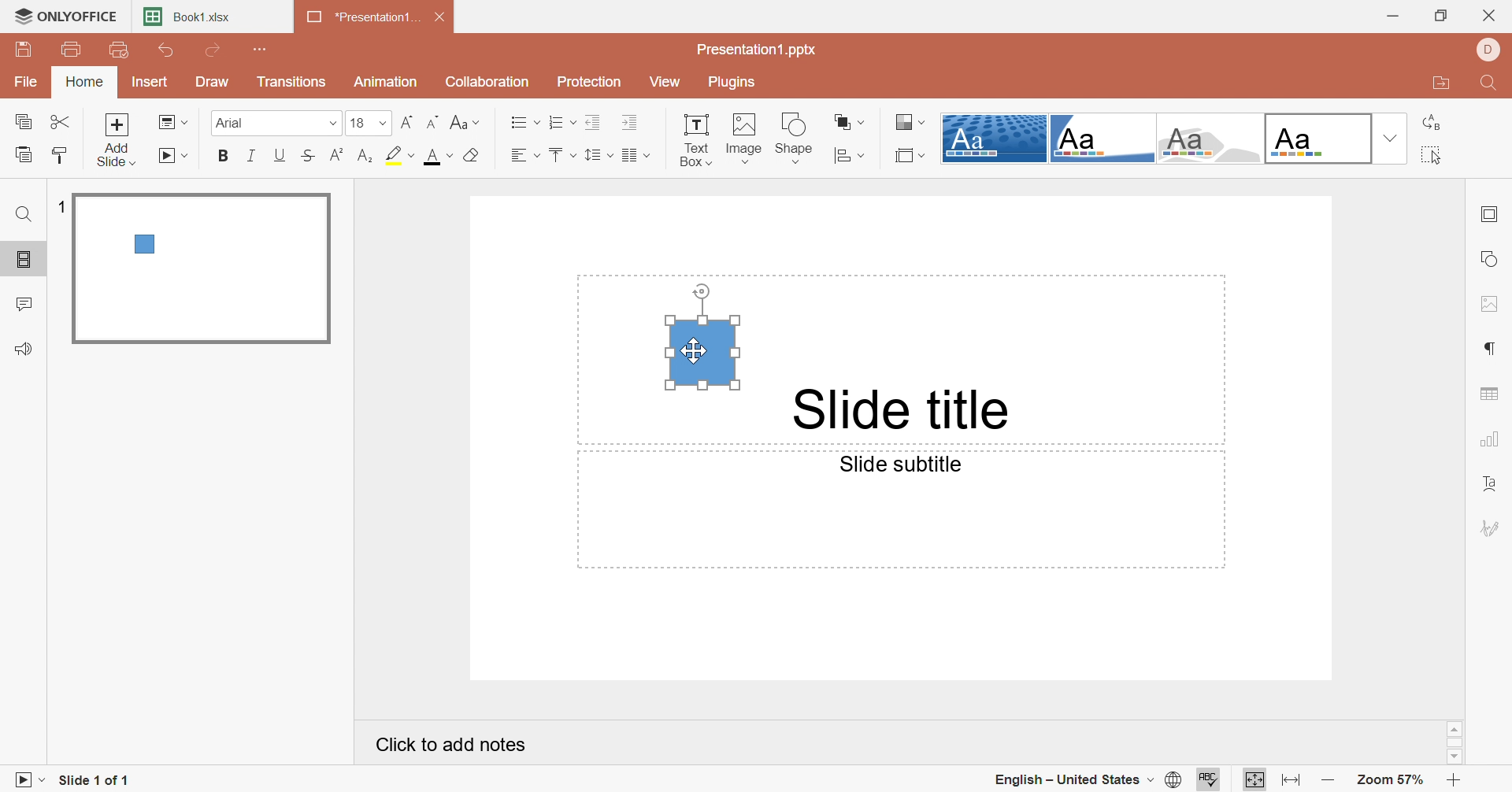 The image size is (1512, 792). I want to click on Scroll Down, so click(1455, 758).